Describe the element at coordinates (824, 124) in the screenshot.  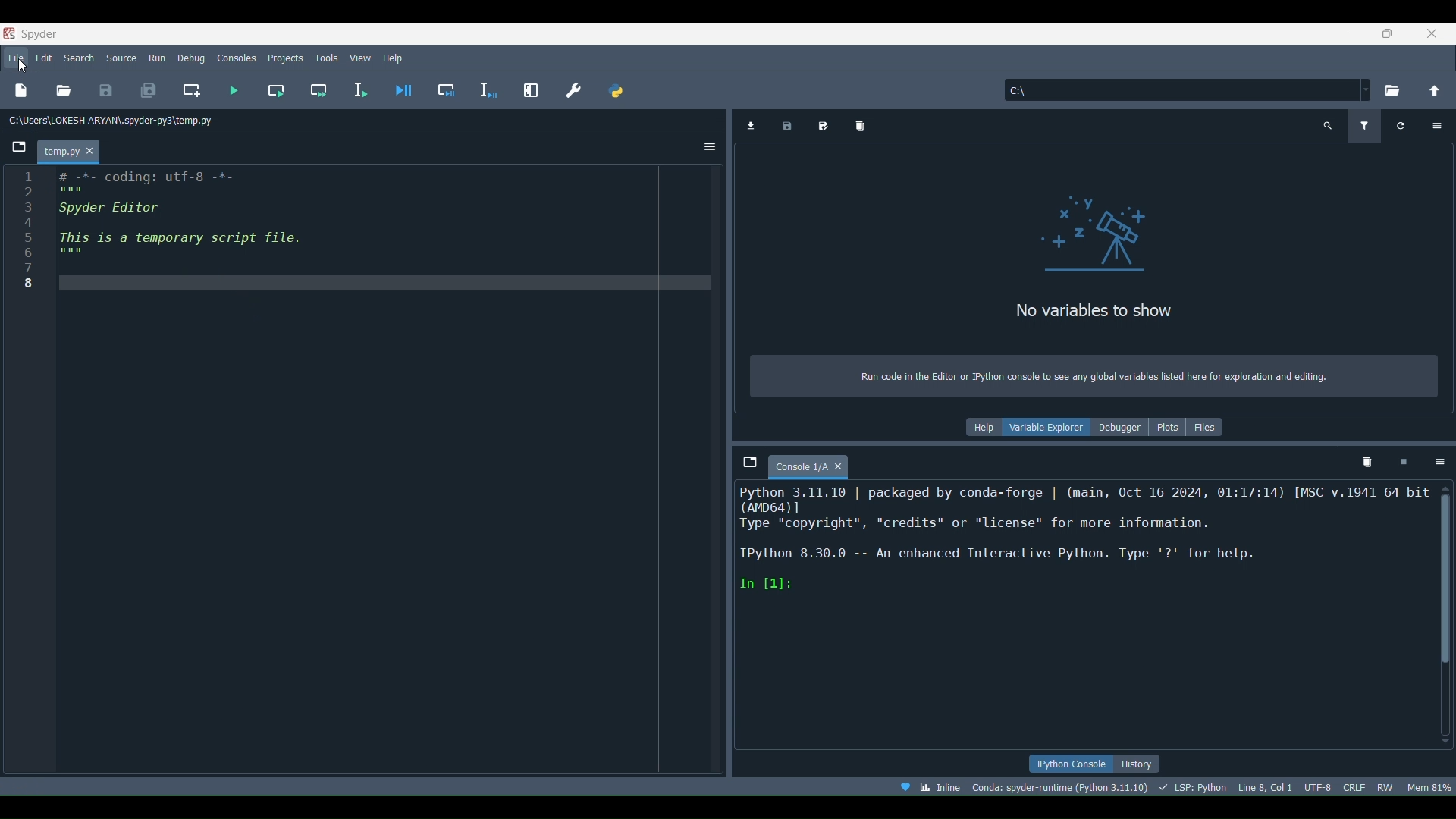
I see `Save data as` at that location.